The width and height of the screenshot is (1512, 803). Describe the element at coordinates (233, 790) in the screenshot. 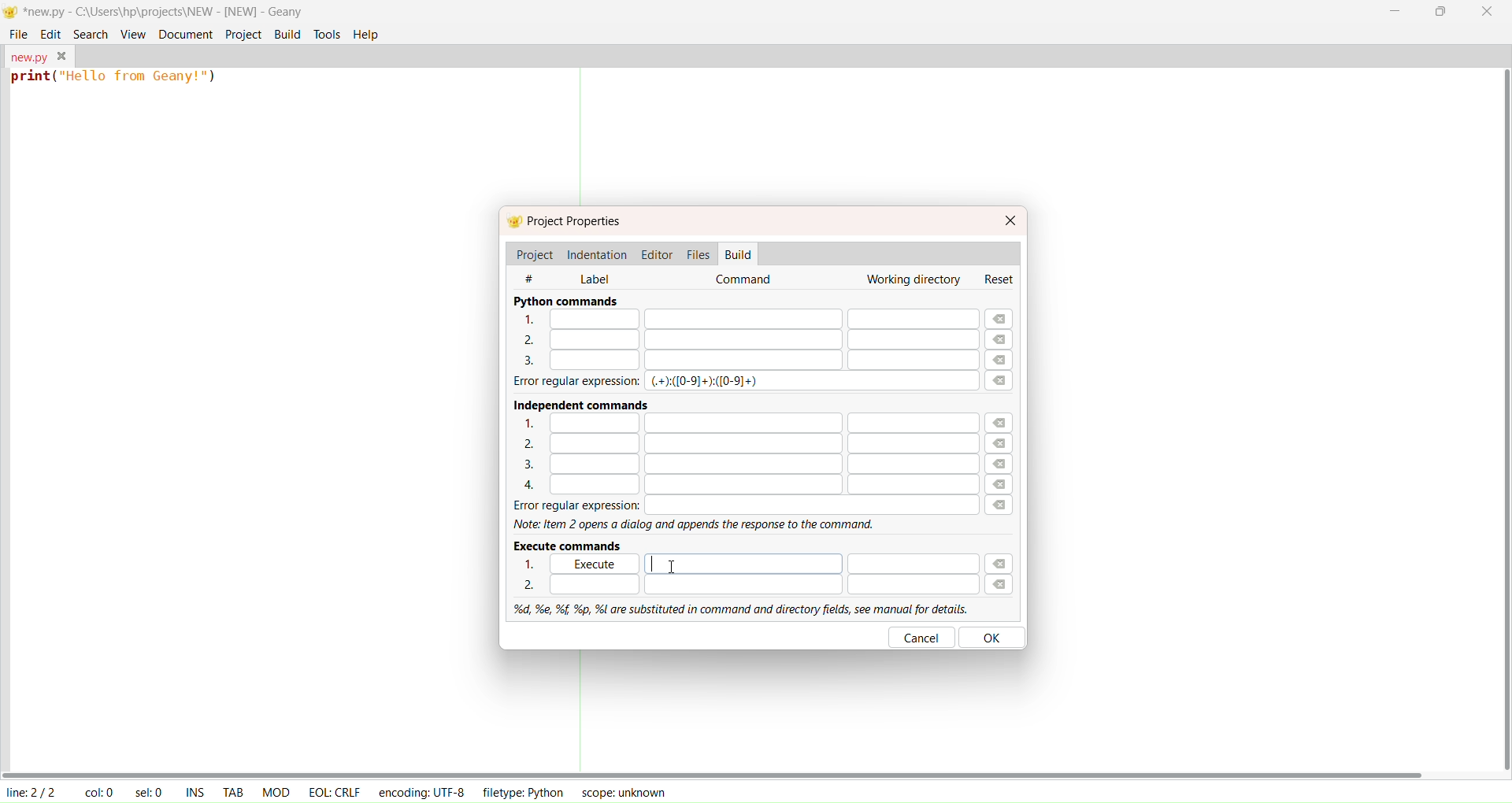

I see `TAB` at that location.